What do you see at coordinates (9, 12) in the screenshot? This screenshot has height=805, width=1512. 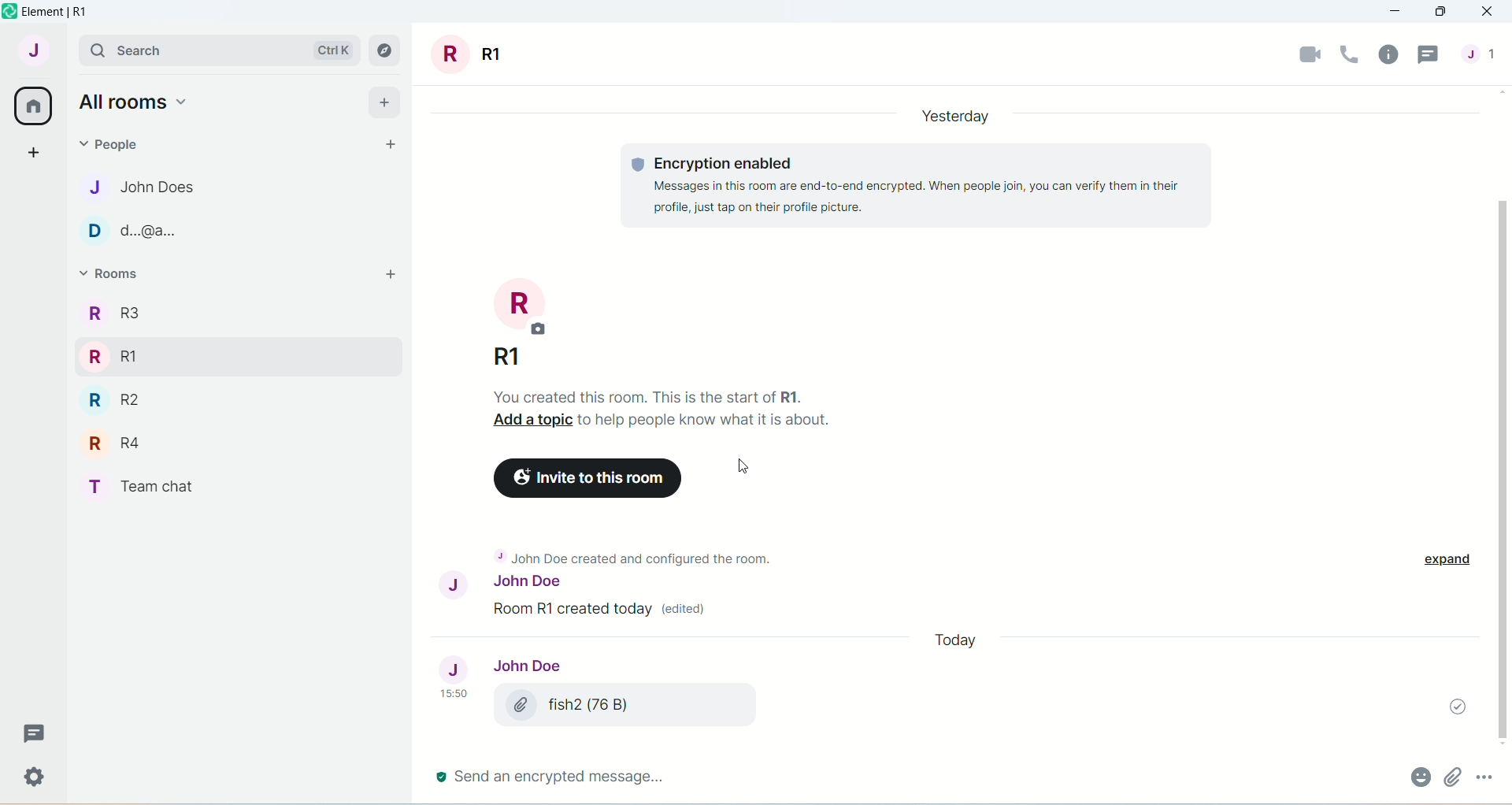 I see `logo` at bounding box center [9, 12].